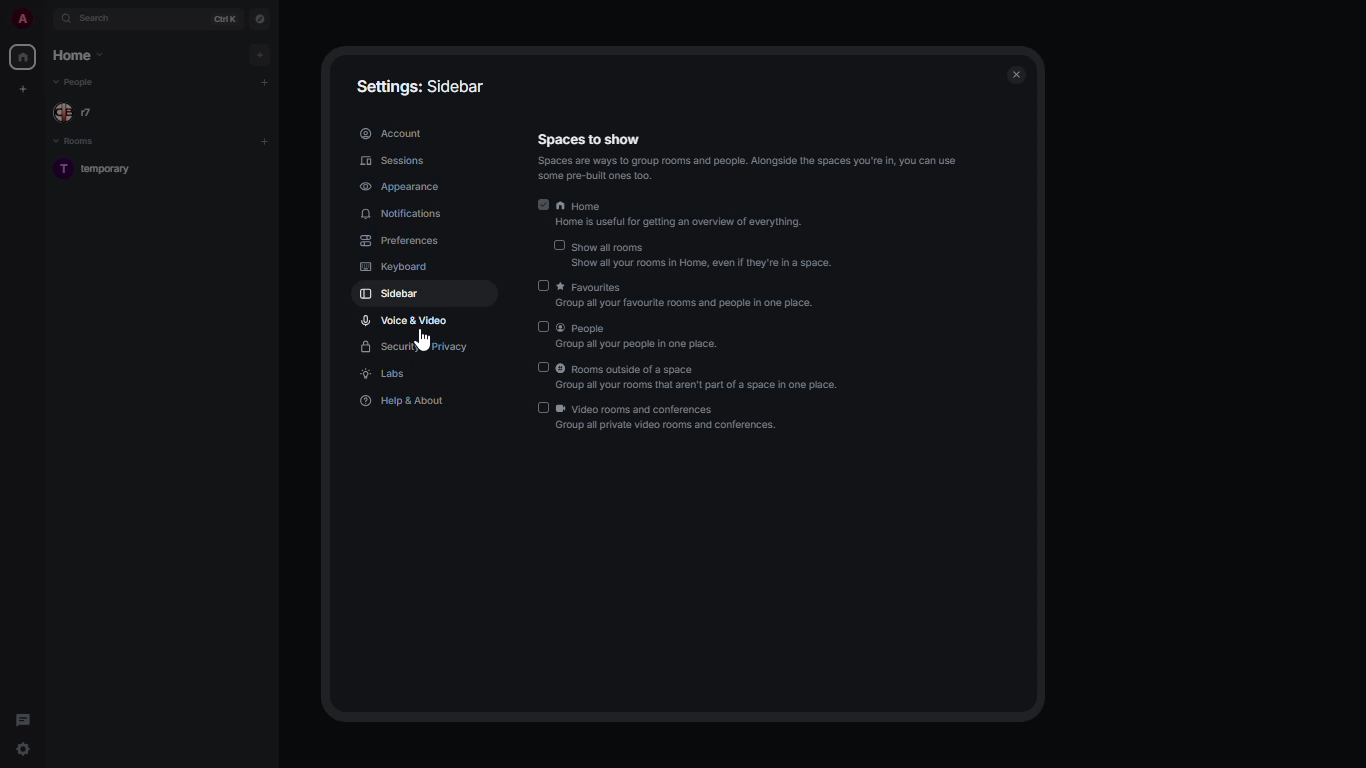 The width and height of the screenshot is (1366, 768). Describe the element at coordinates (541, 204) in the screenshot. I see `enabled` at that location.